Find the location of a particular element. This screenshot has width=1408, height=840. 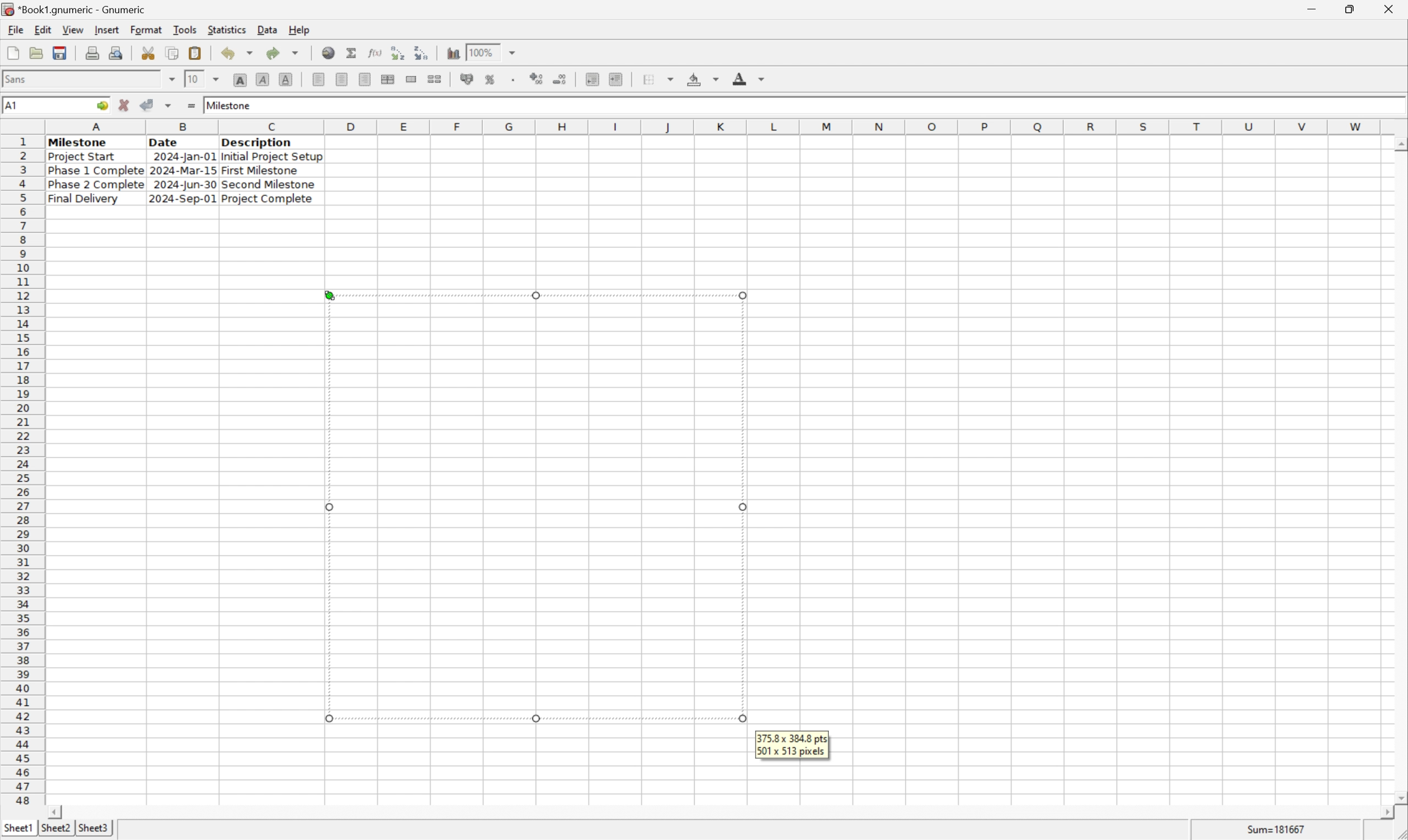

open a file is located at coordinates (38, 53).